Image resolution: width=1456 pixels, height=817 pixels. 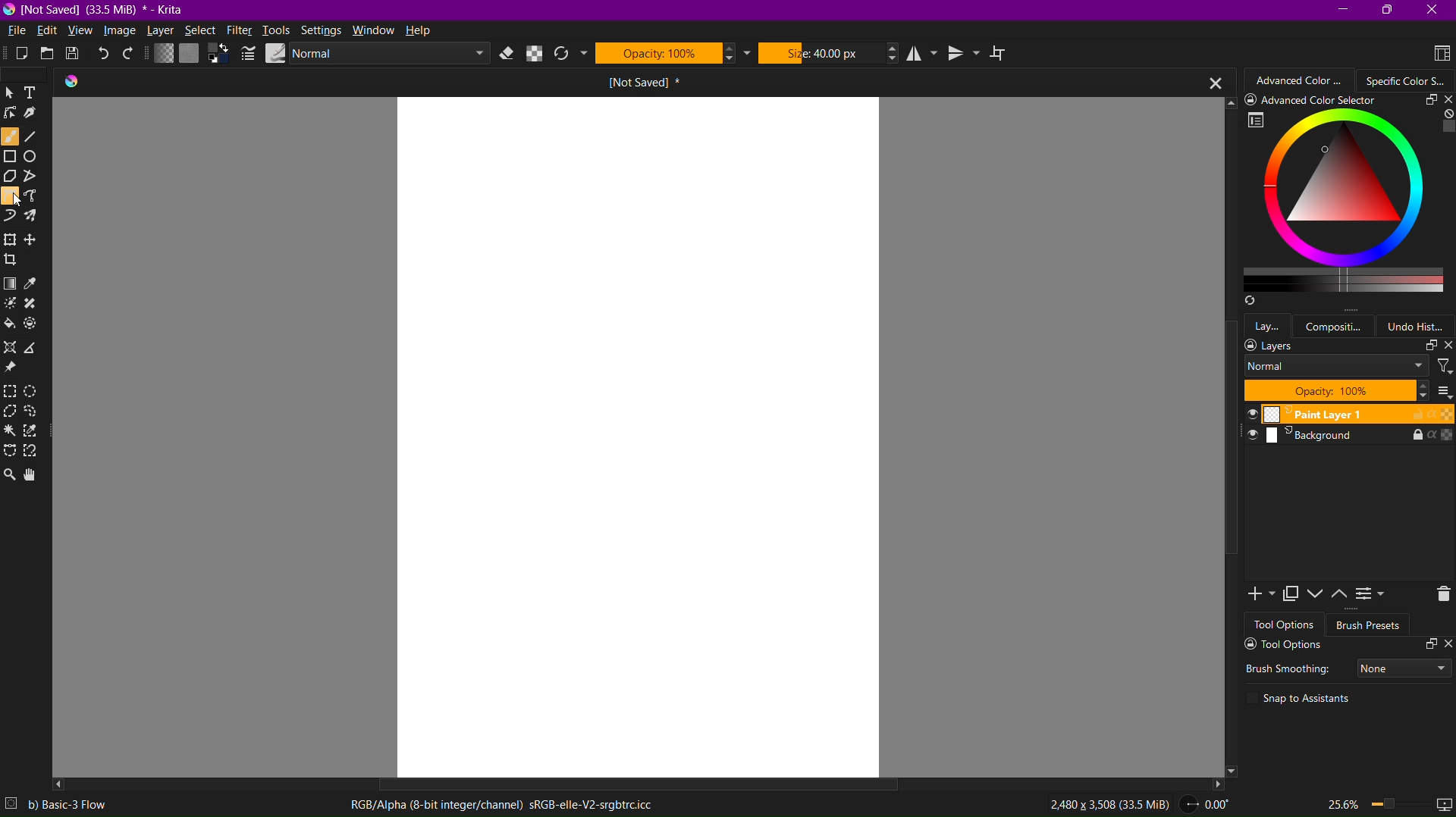 What do you see at coordinates (322, 30) in the screenshot?
I see `Settings` at bounding box center [322, 30].